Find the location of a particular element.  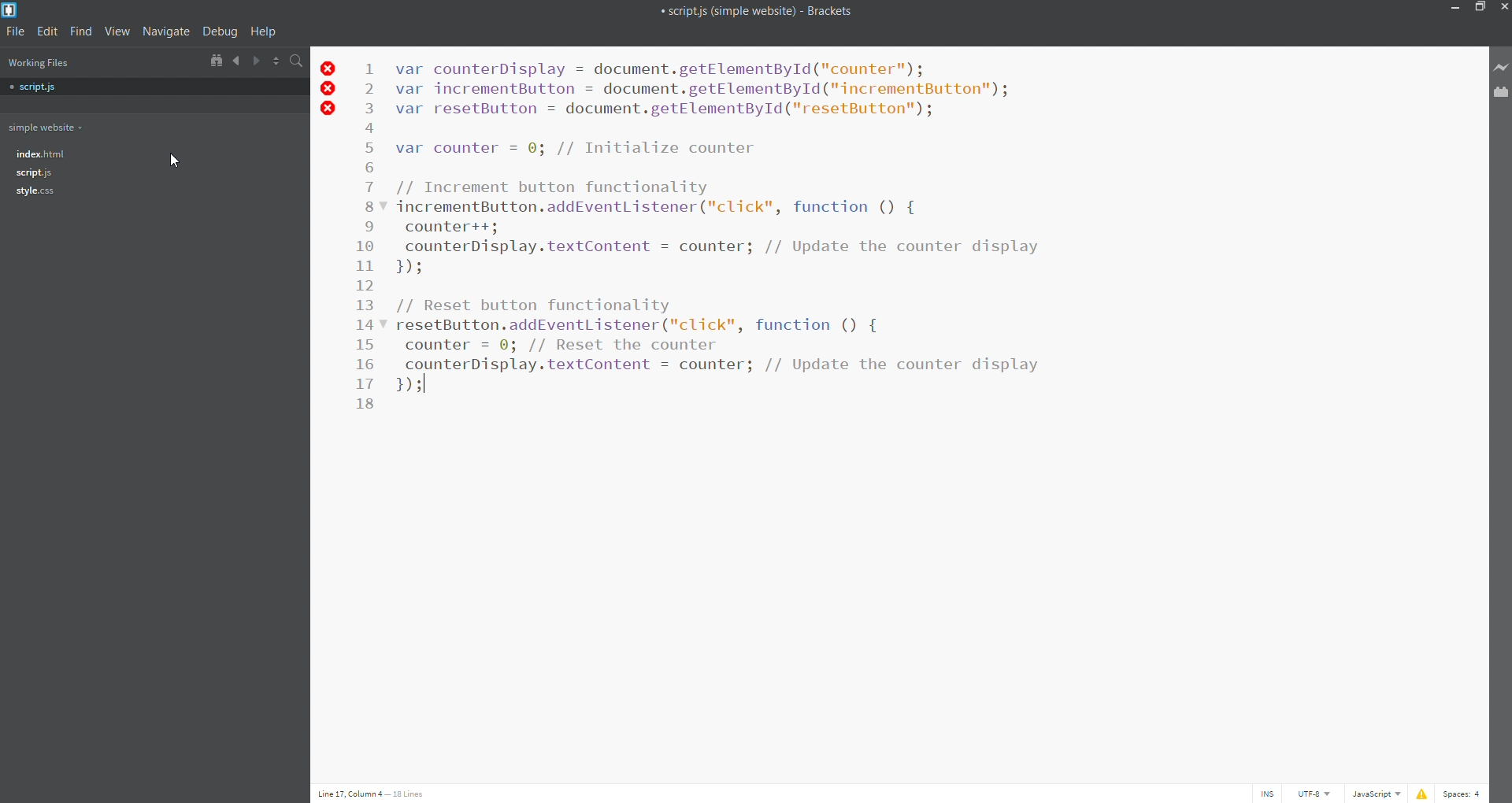

split horizontally/vertically is located at coordinates (278, 61).